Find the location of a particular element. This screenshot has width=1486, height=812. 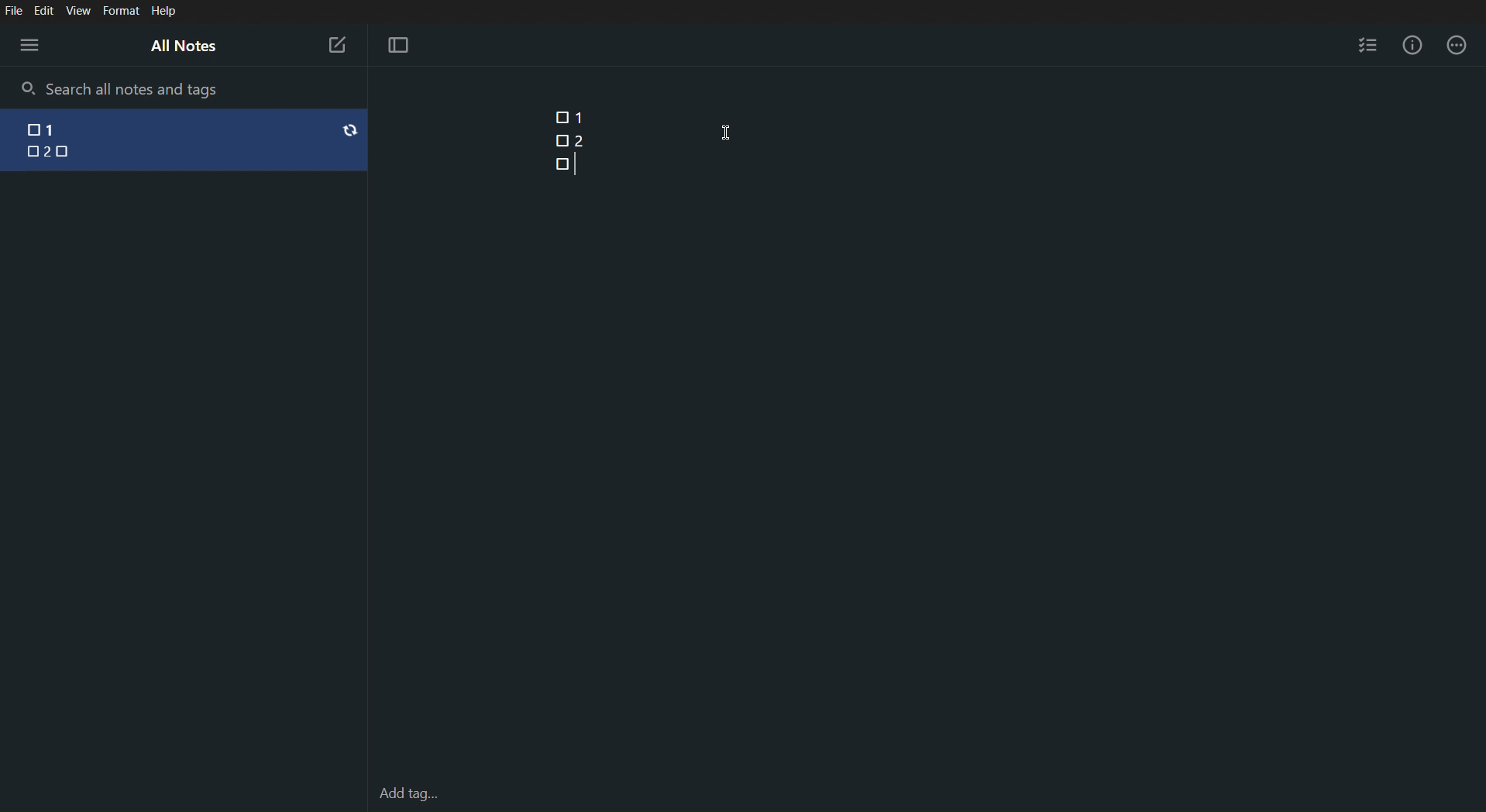

Focus Mode is located at coordinates (397, 46).